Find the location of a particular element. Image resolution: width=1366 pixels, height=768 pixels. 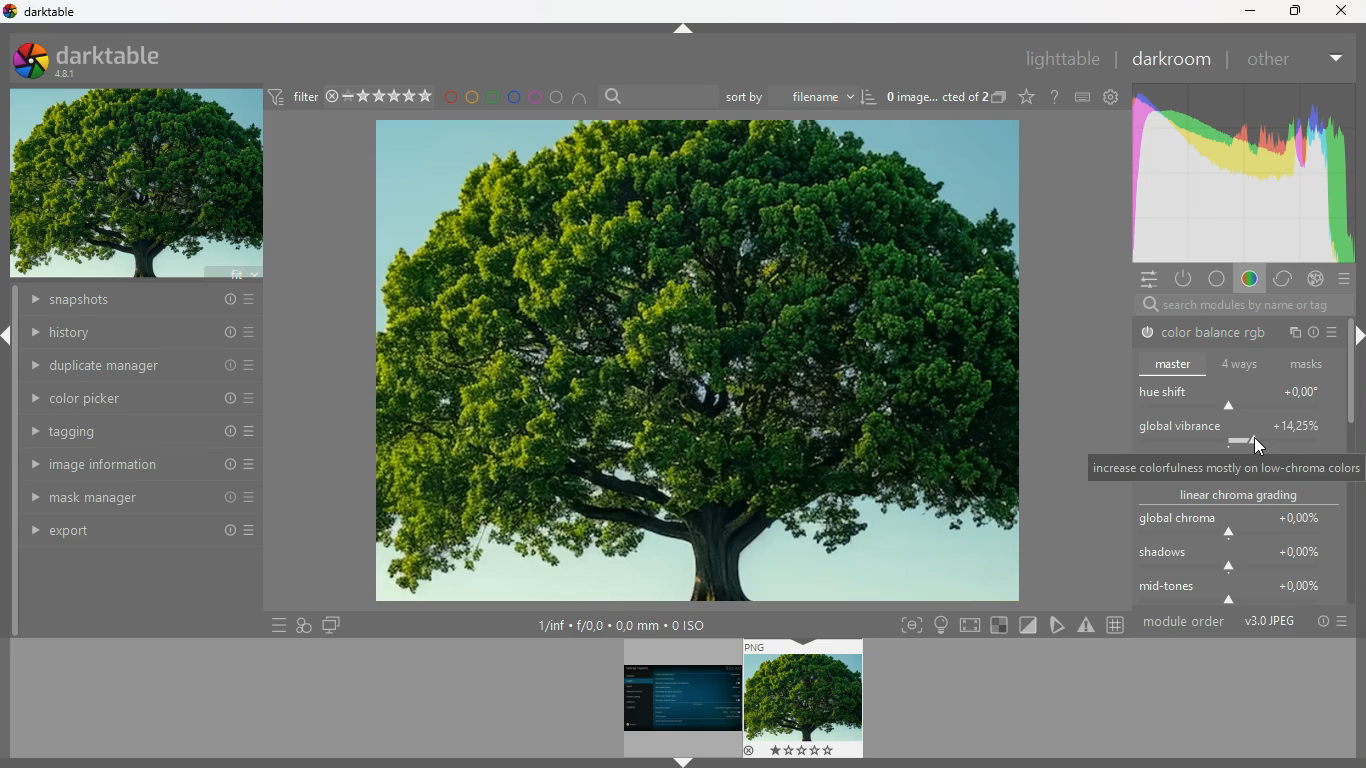

menu is located at coordinates (1346, 280).